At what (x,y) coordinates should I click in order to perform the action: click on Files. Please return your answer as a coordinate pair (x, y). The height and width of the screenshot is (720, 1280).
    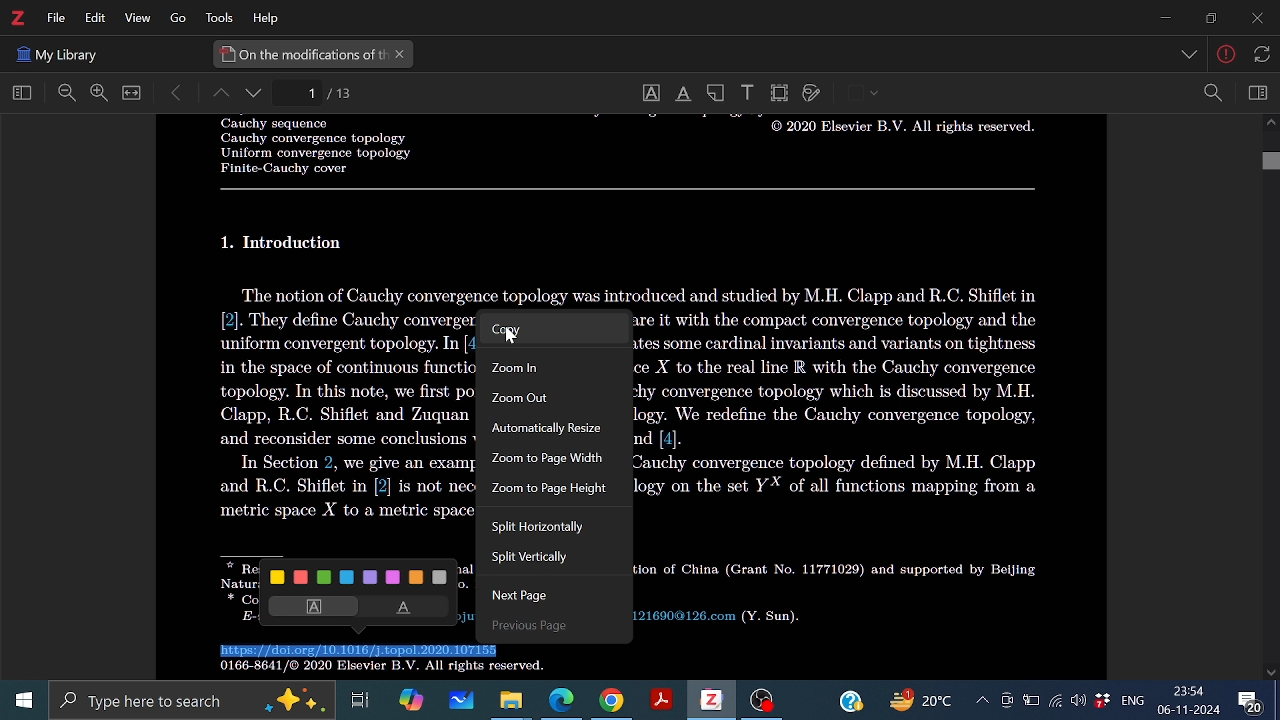
    Looking at the image, I should click on (512, 700).